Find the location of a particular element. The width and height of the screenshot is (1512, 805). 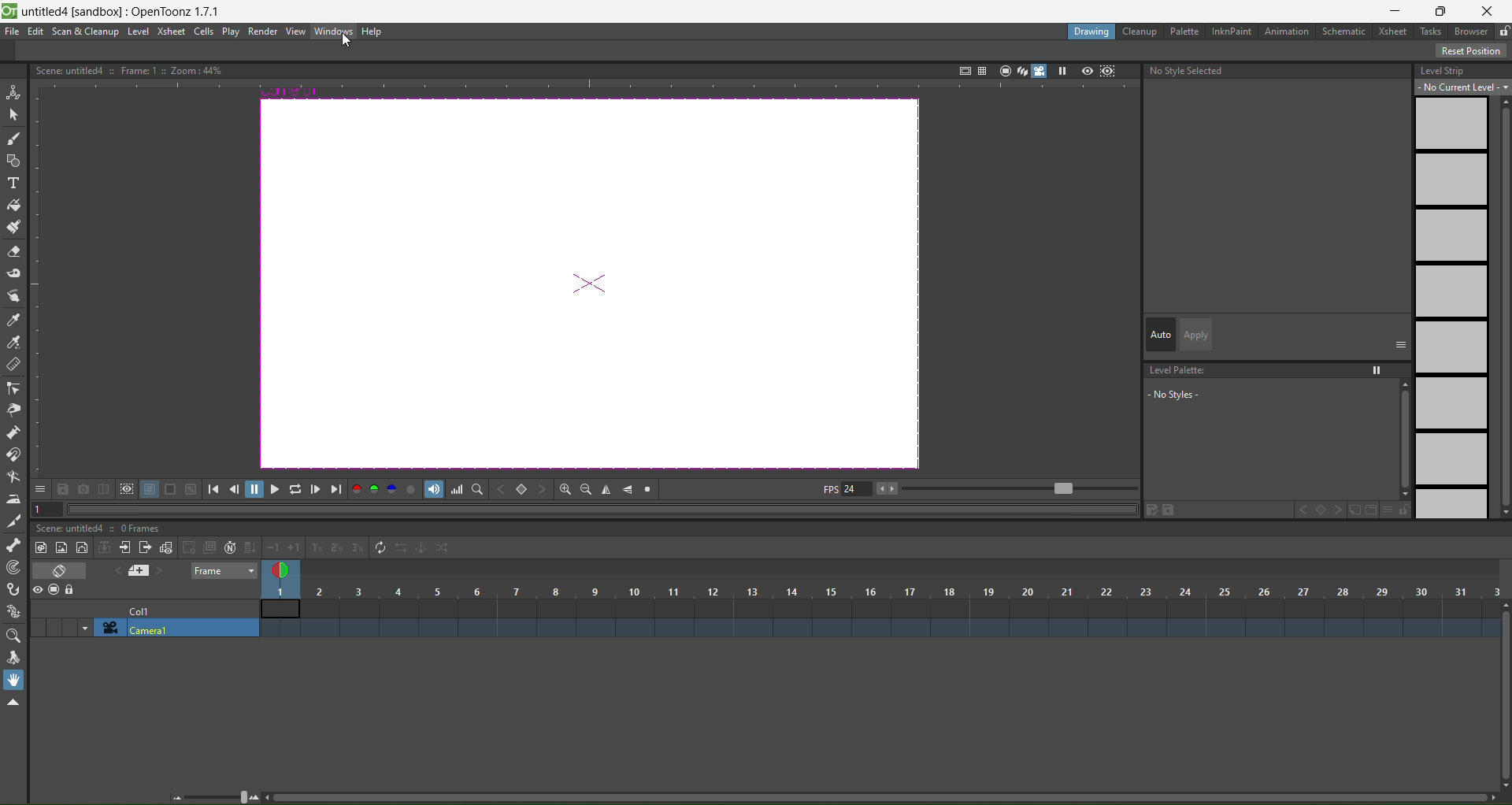

 is located at coordinates (14, 658).